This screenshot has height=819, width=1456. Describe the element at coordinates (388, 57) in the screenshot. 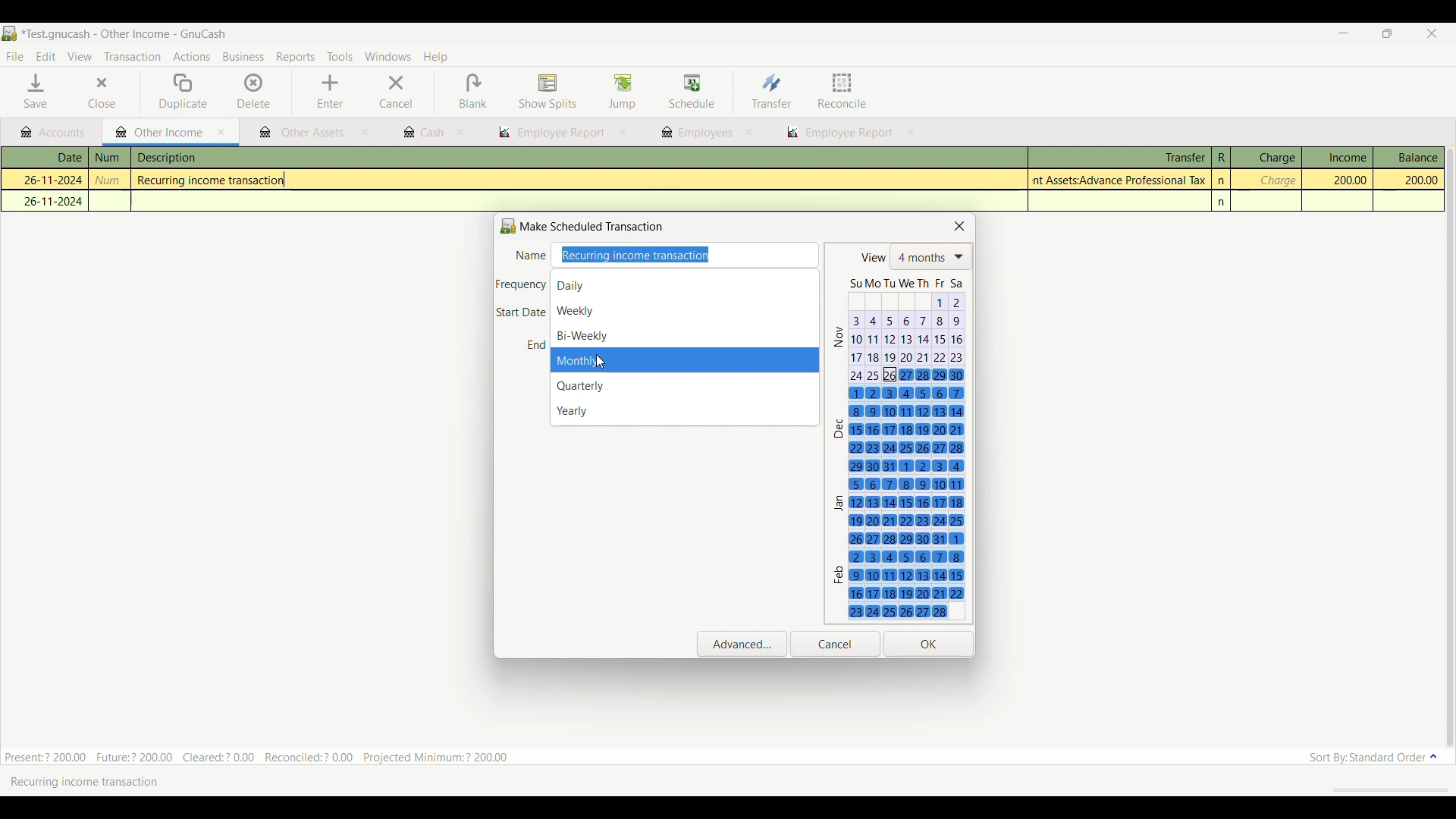

I see `Windows menu` at that location.